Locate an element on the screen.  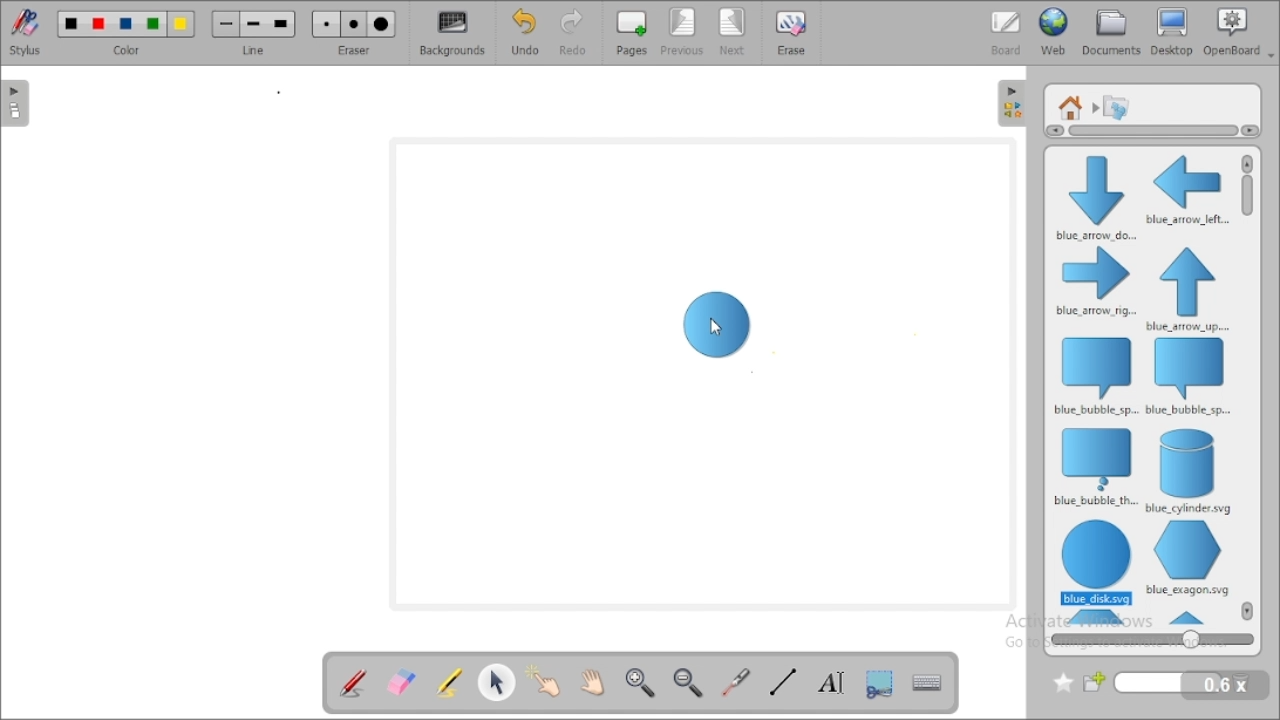
annotate document is located at coordinates (352, 682).